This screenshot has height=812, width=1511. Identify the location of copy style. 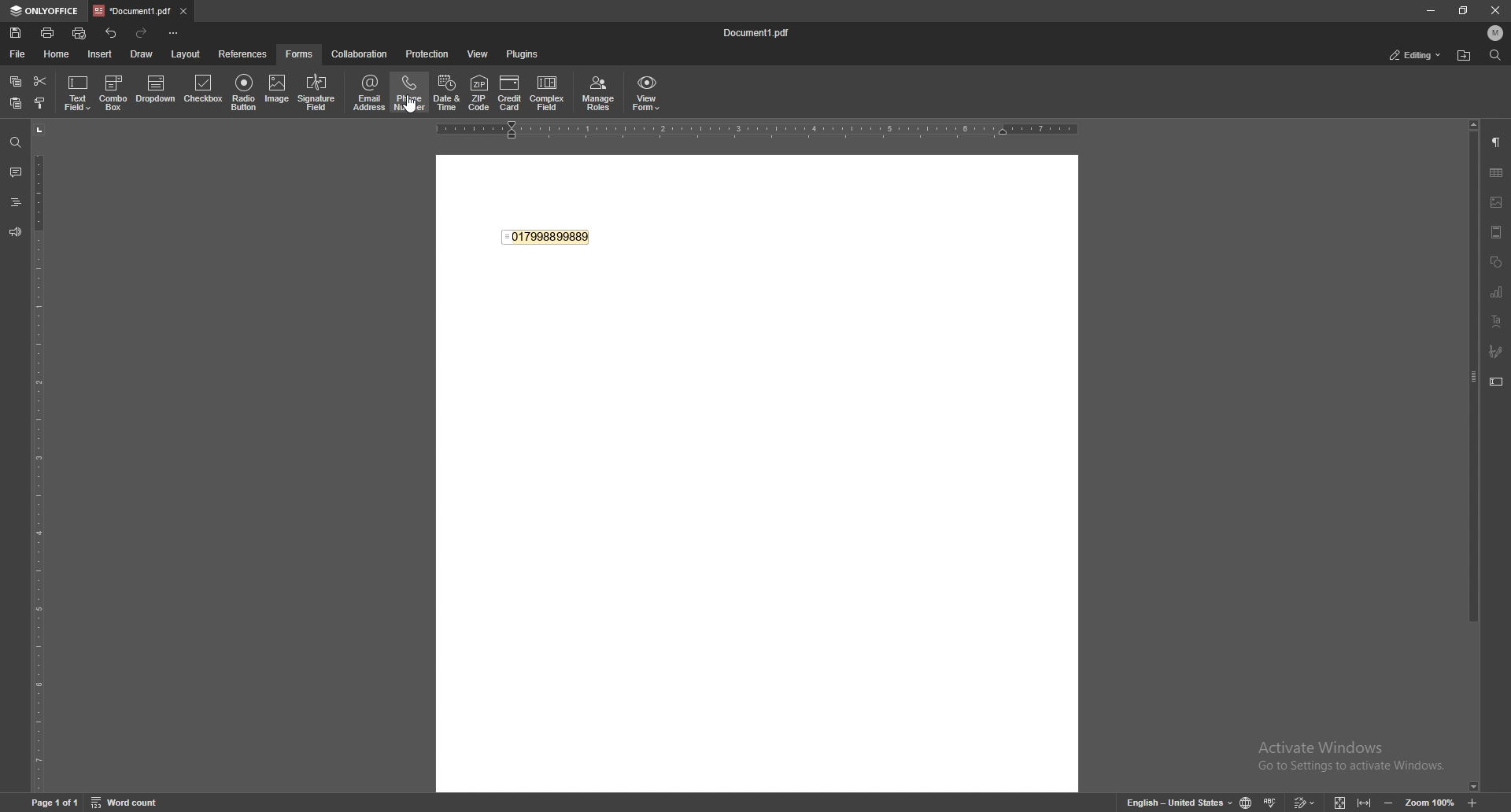
(40, 103).